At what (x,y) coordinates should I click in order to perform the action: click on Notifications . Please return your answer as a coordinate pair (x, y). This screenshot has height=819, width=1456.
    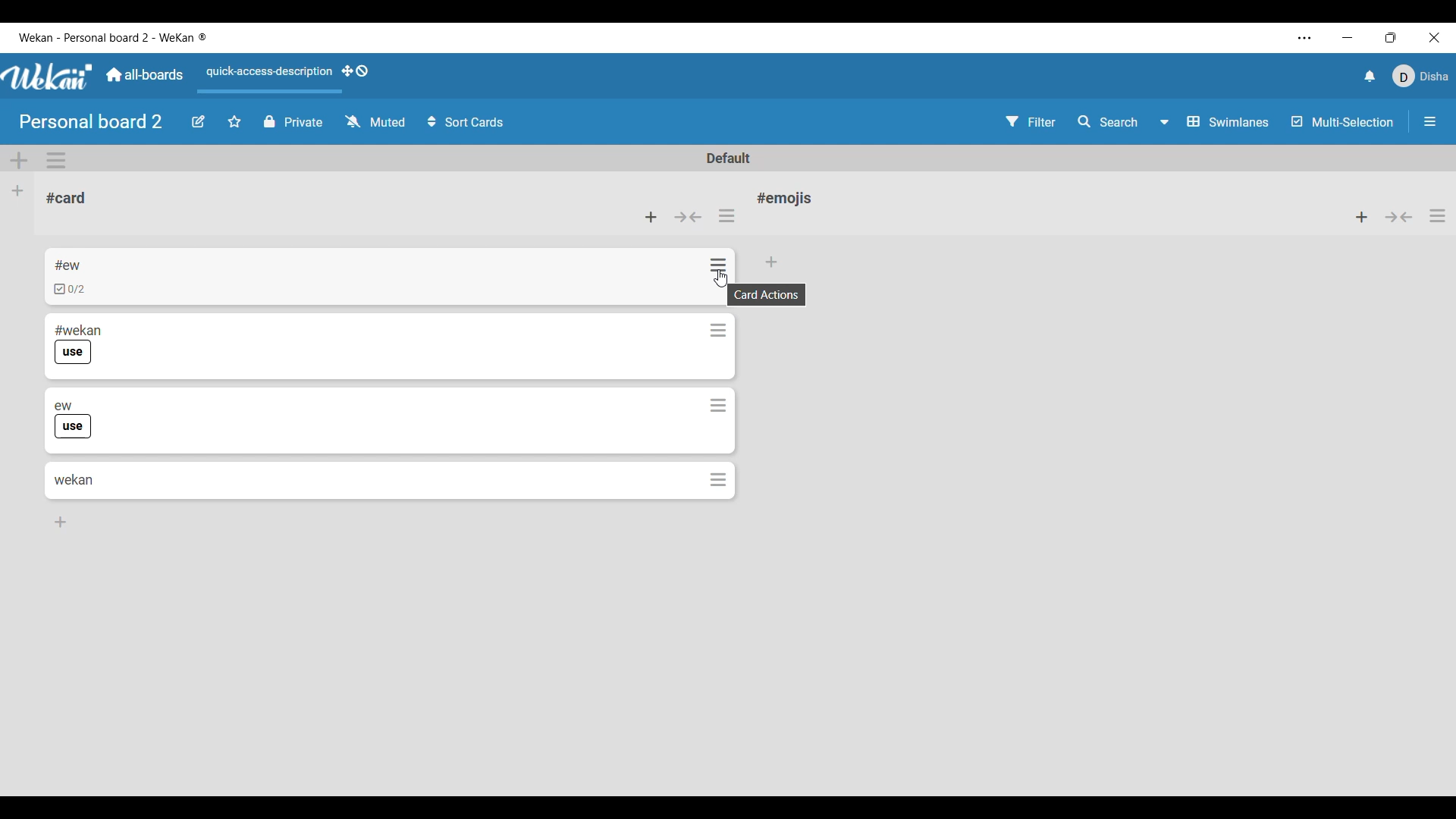
    Looking at the image, I should click on (1370, 76).